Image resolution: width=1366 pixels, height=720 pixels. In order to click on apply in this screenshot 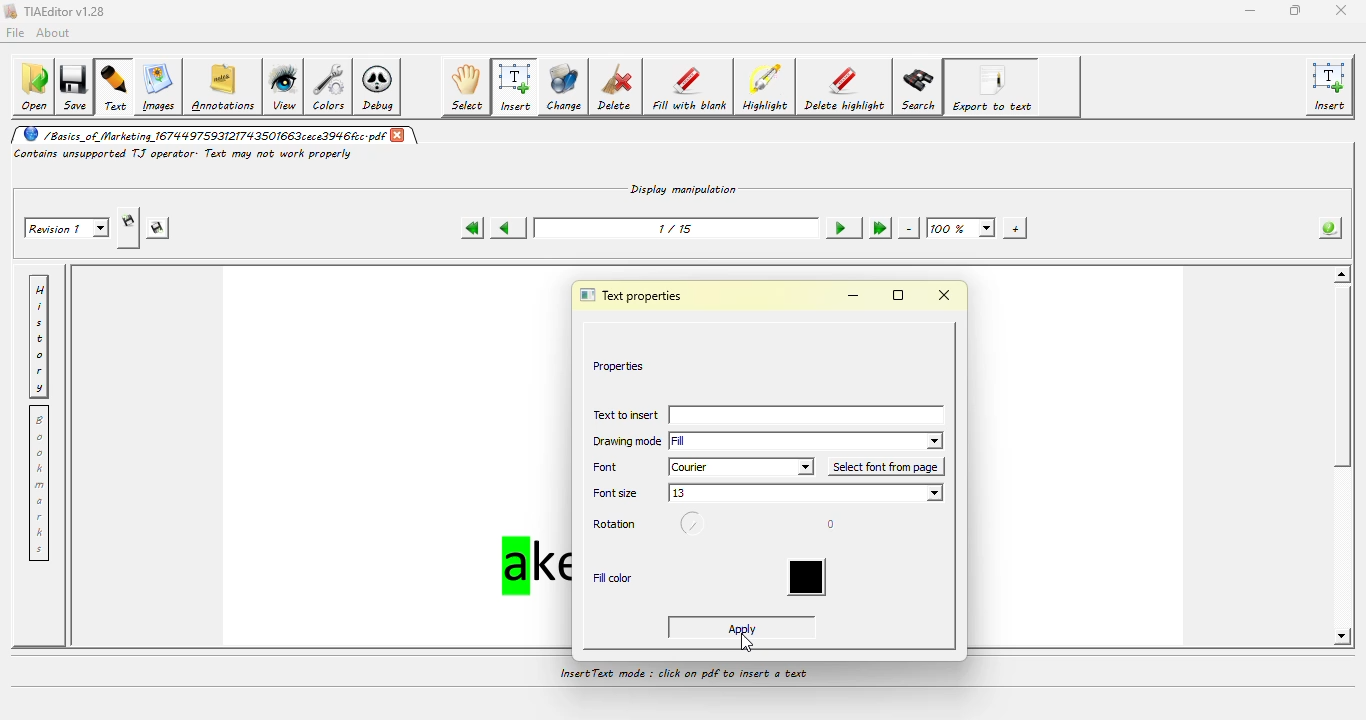, I will do `click(745, 627)`.